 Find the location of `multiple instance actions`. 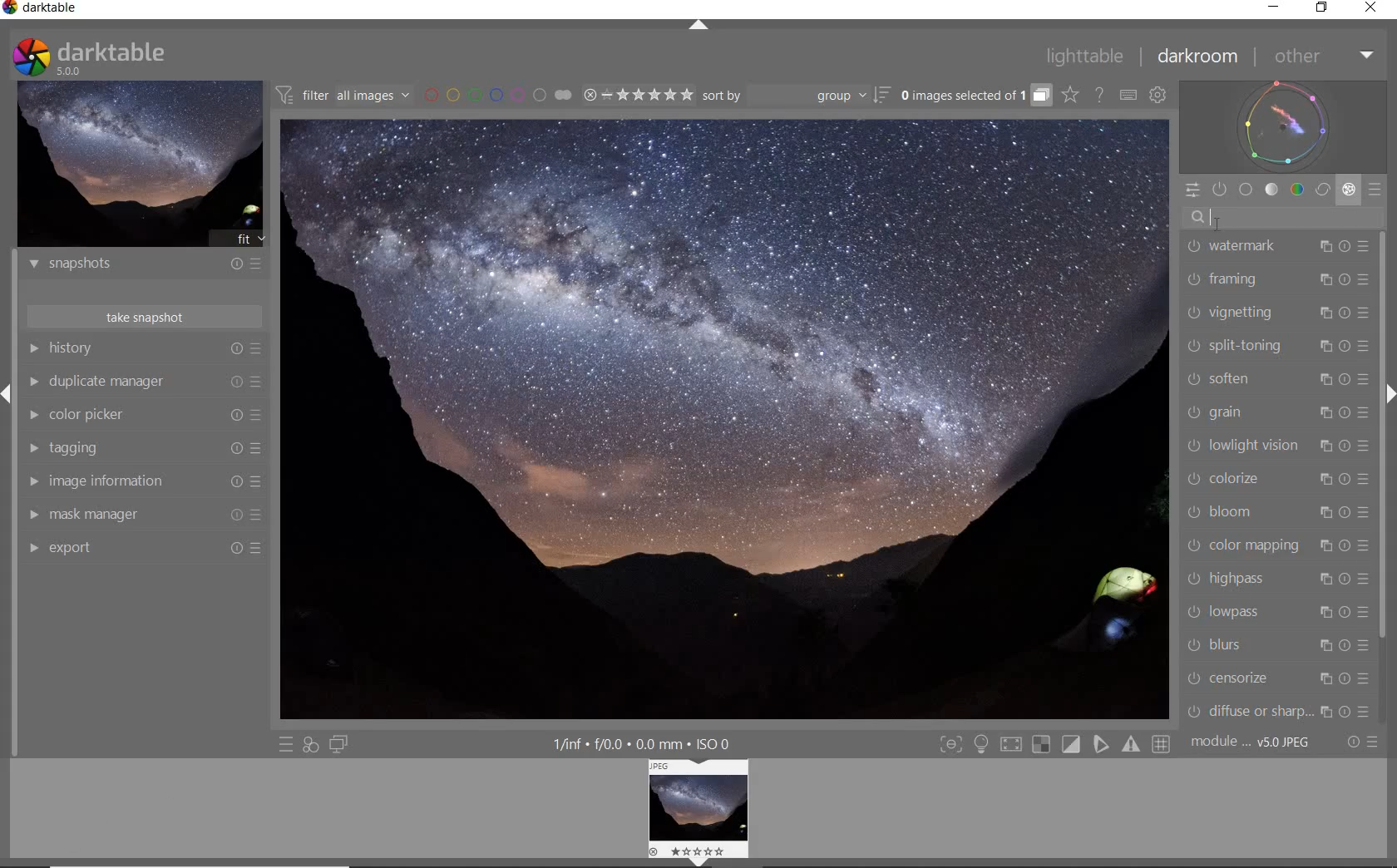

multiple instance actions is located at coordinates (1322, 477).